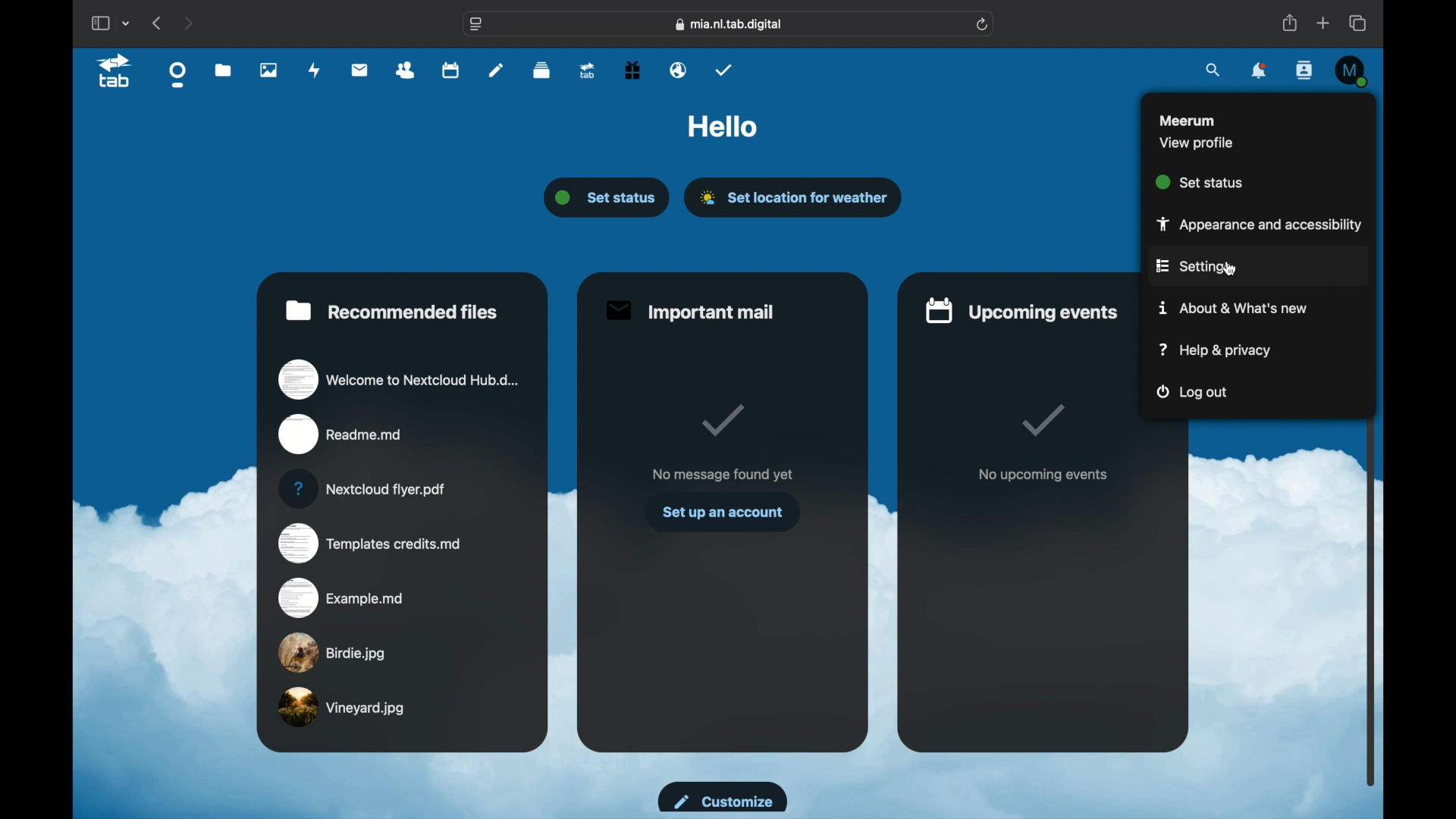 The width and height of the screenshot is (1456, 819). Describe the element at coordinates (1187, 119) in the screenshot. I see `name` at that location.